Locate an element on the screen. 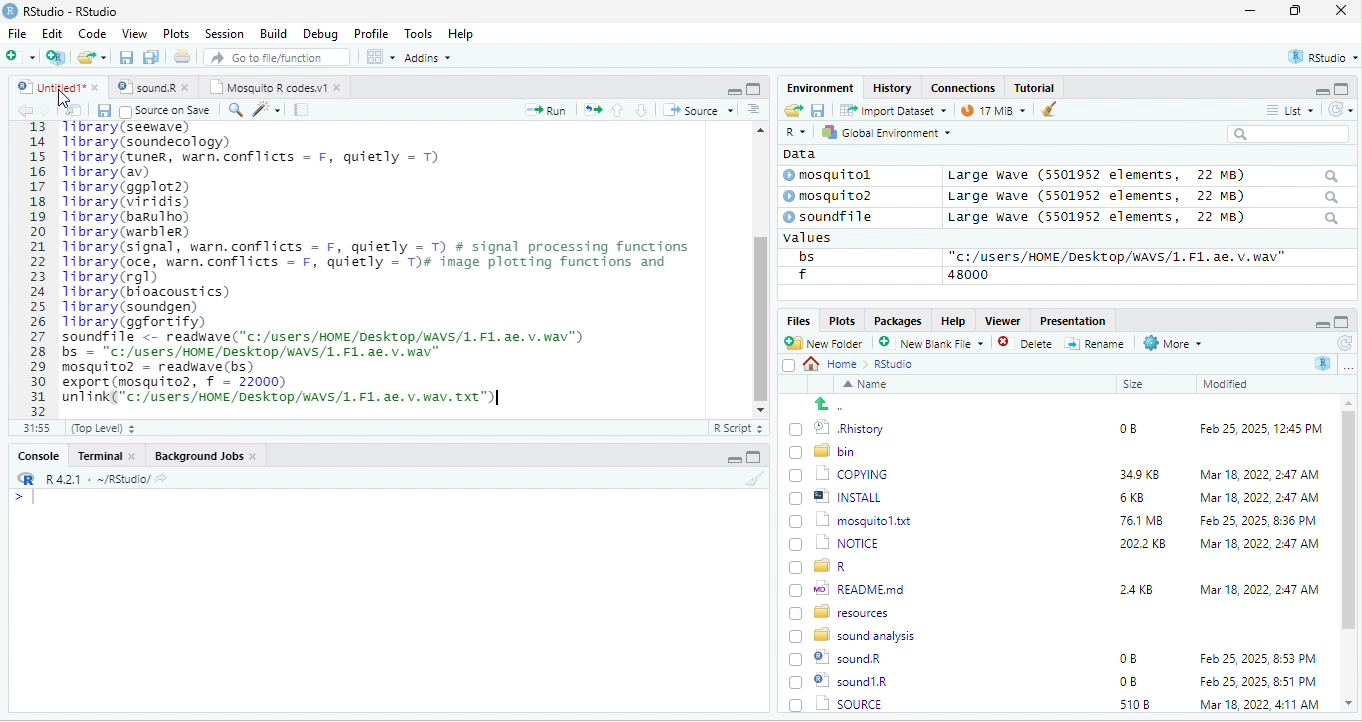 This screenshot has width=1362, height=722. save is located at coordinates (128, 58).